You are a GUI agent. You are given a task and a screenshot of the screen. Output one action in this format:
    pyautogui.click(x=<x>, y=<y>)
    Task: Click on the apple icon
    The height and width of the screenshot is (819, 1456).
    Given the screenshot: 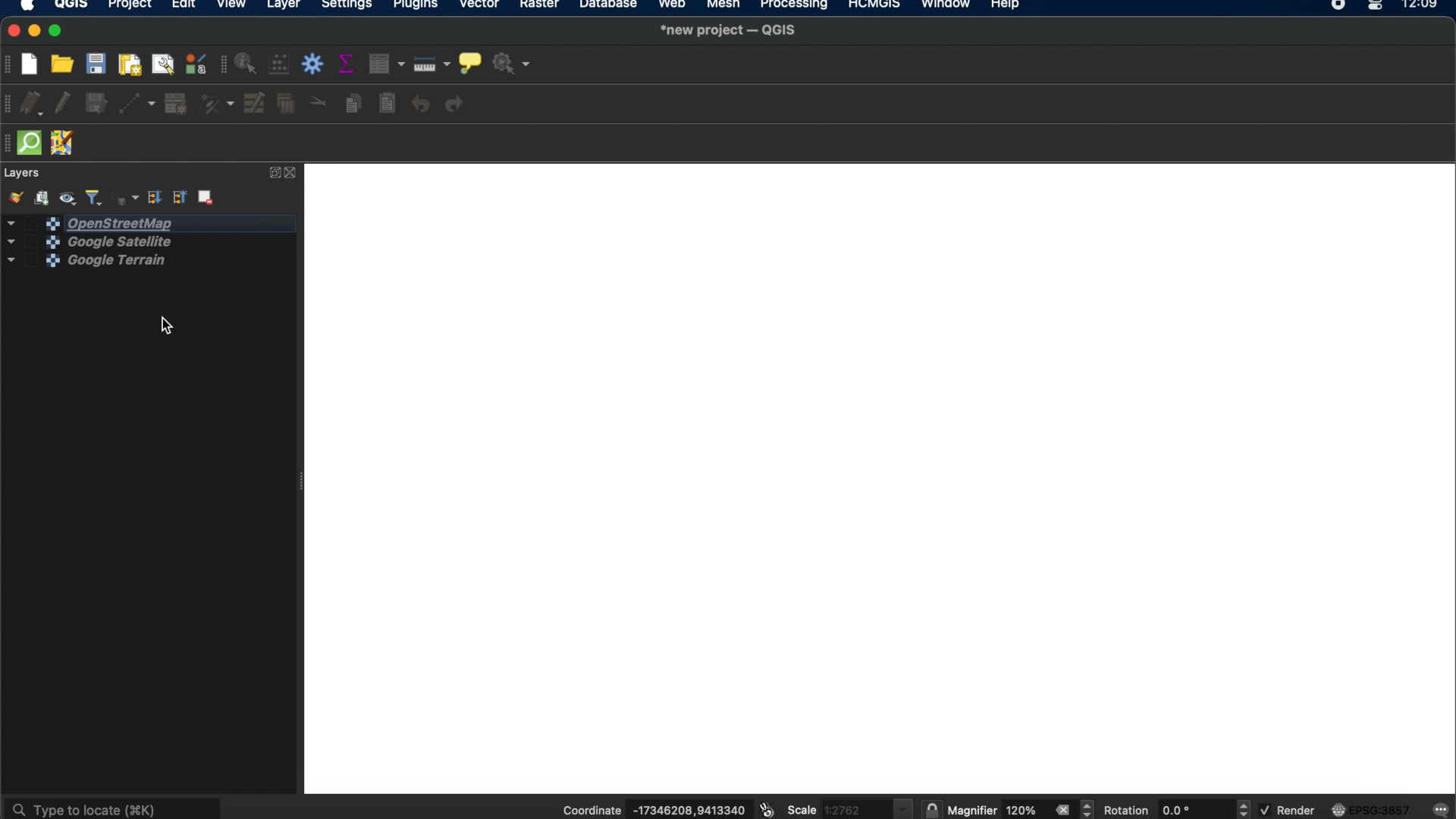 What is the action you would take?
    pyautogui.click(x=33, y=7)
    